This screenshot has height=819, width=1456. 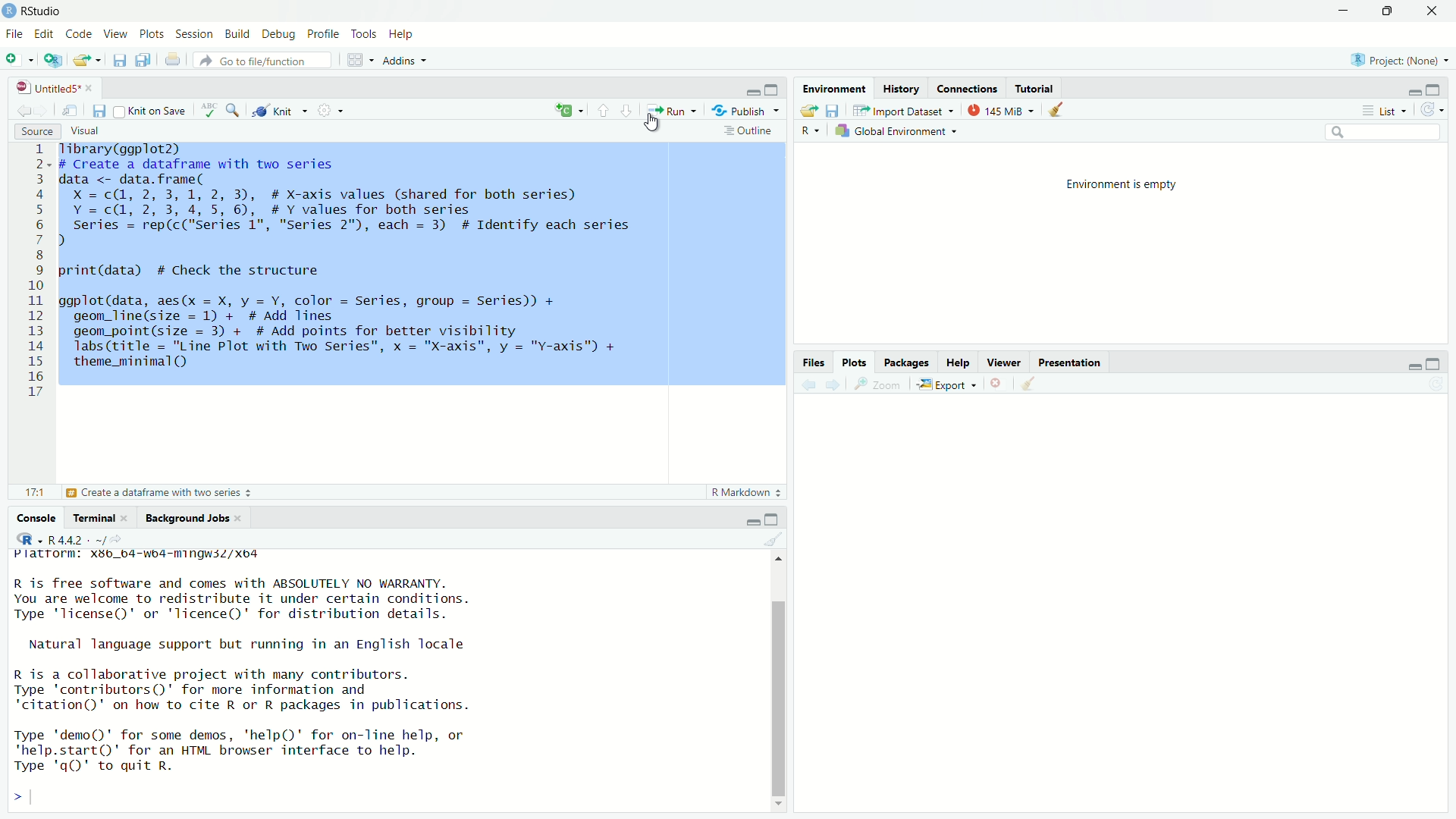 I want to click on Maximize, so click(x=773, y=89).